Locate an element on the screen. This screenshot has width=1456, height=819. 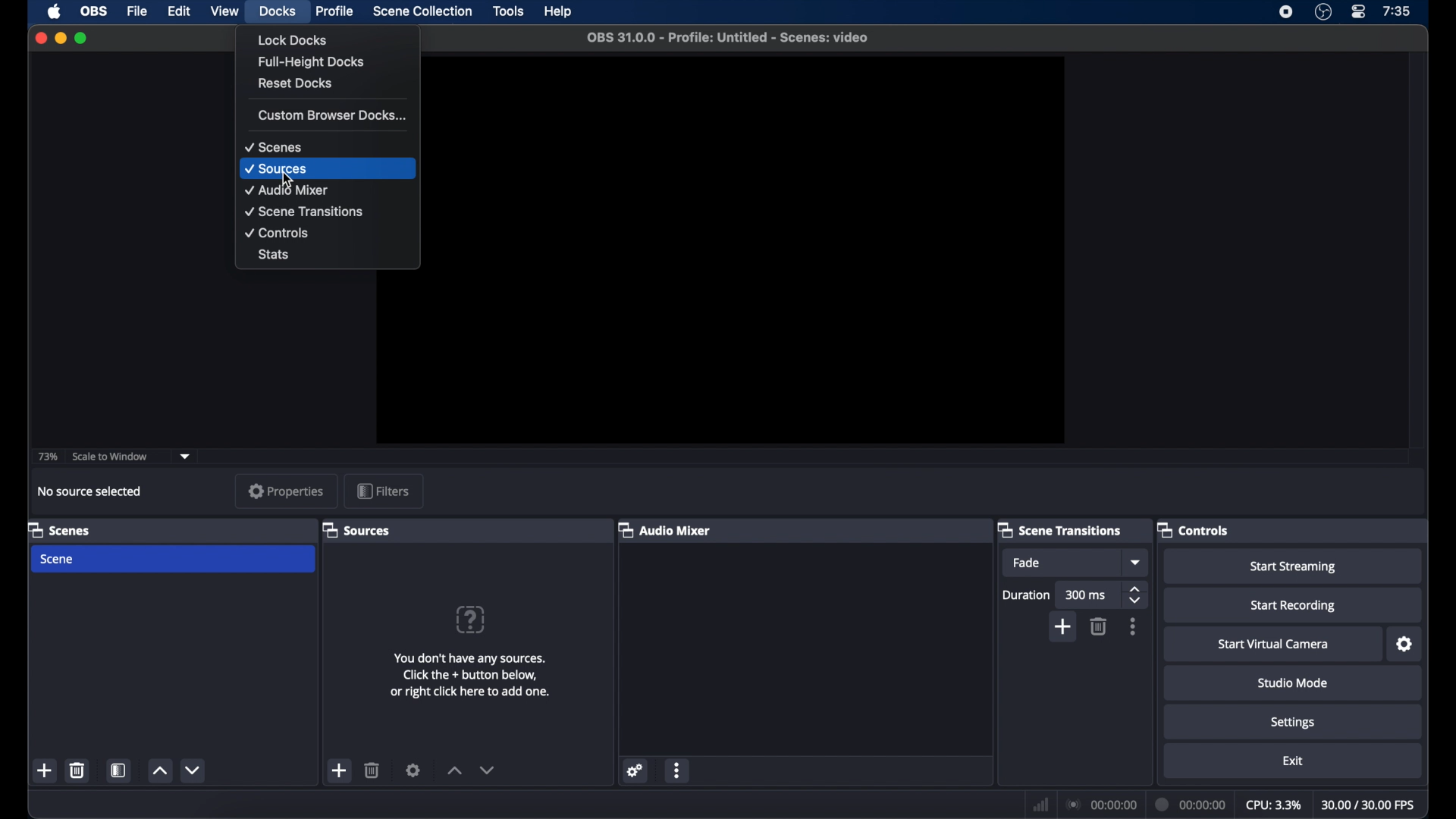
help is located at coordinates (560, 12).